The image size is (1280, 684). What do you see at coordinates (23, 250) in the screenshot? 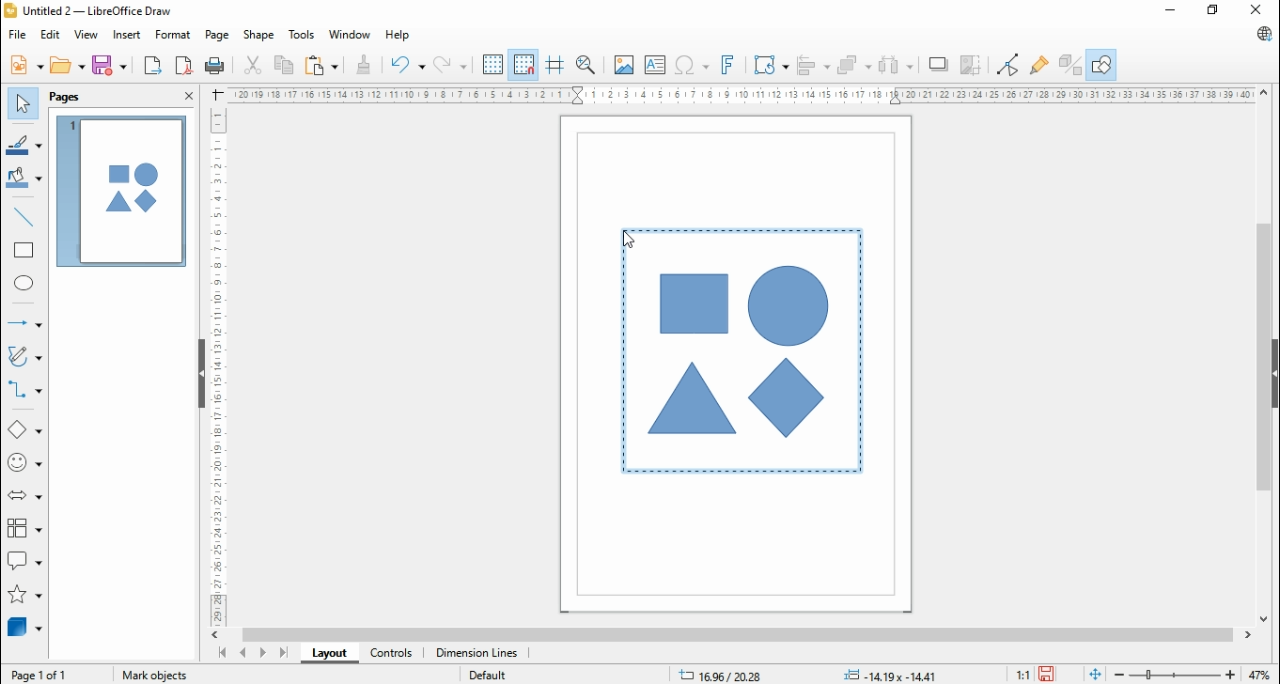
I see `rectangle` at bounding box center [23, 250].